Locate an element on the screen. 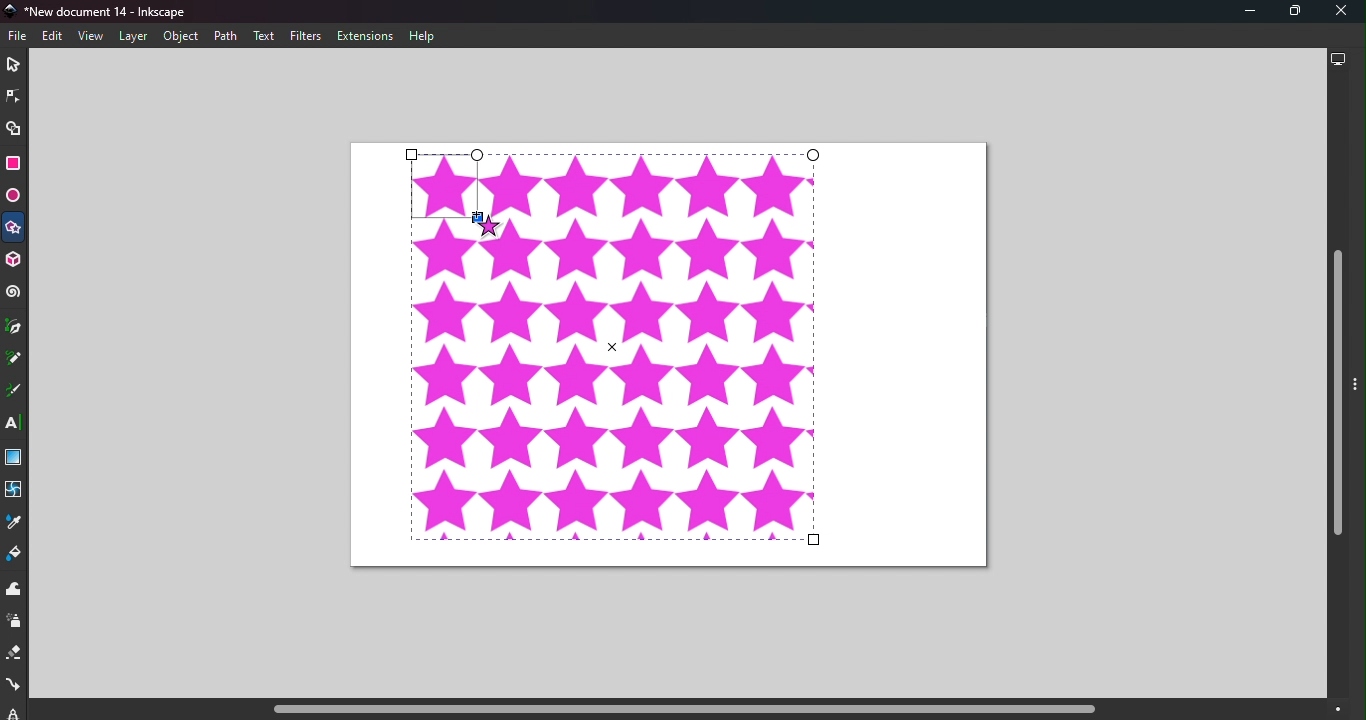  Maximize tool is located at coordinates (1290, 11).